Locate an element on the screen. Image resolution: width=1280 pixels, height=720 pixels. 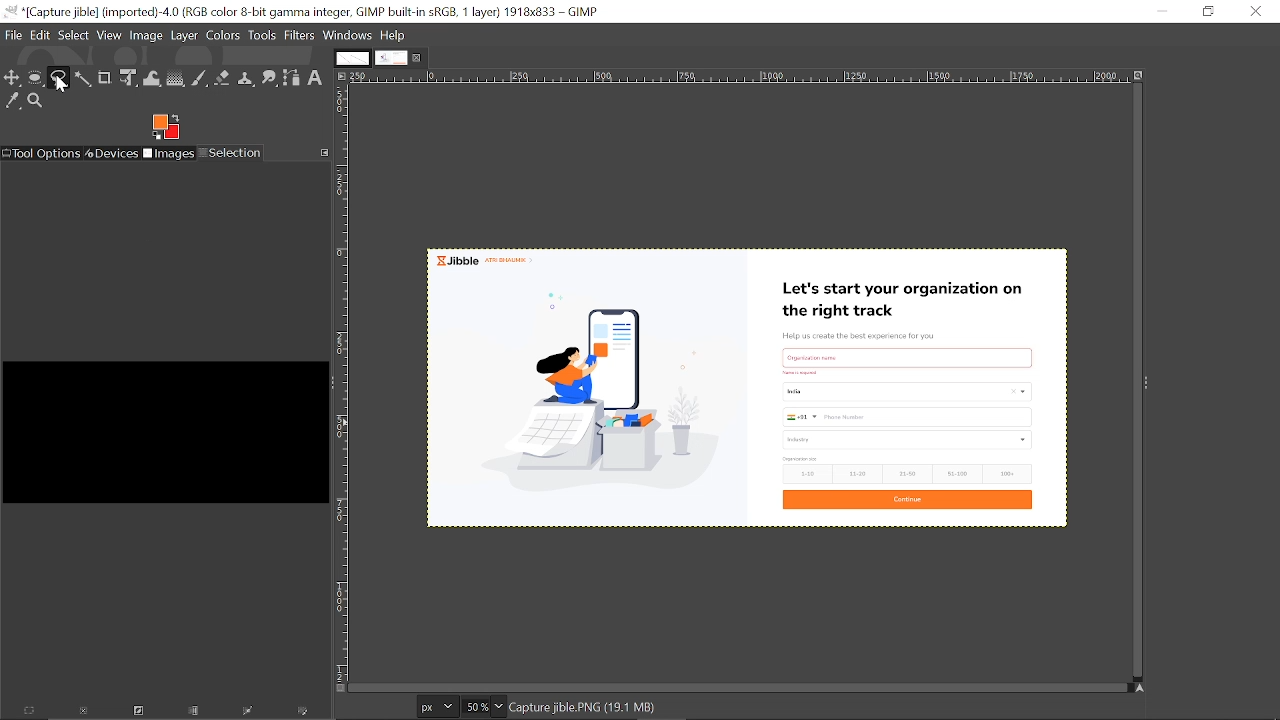
Dismiss this selection is located at coordinates (82, 713).